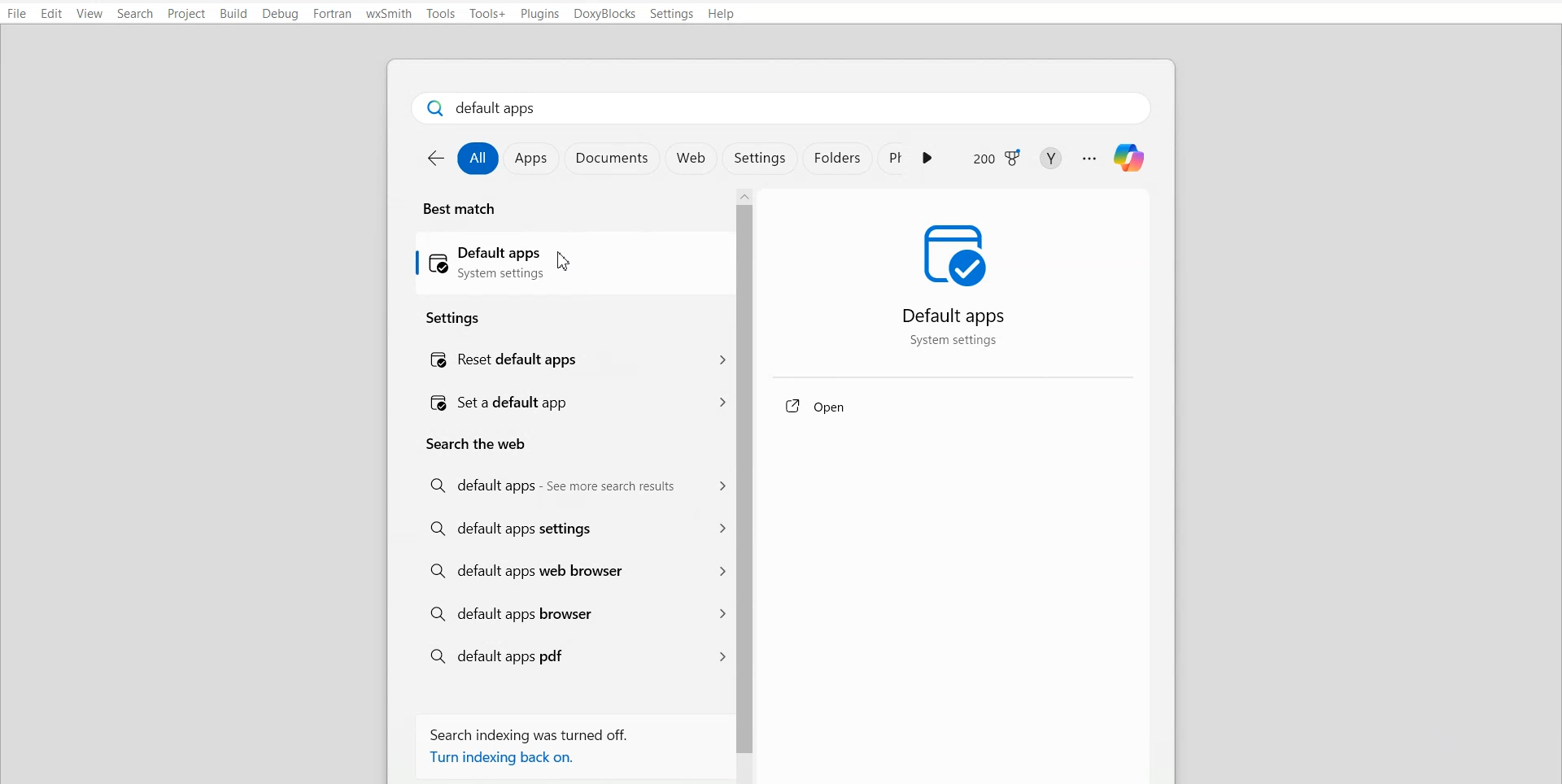 The height and width of the screenshot is (784, 1562). Describe the element at coordinates (747, 485) in the screenshot. I see `Vertical scroll bar` at that location.